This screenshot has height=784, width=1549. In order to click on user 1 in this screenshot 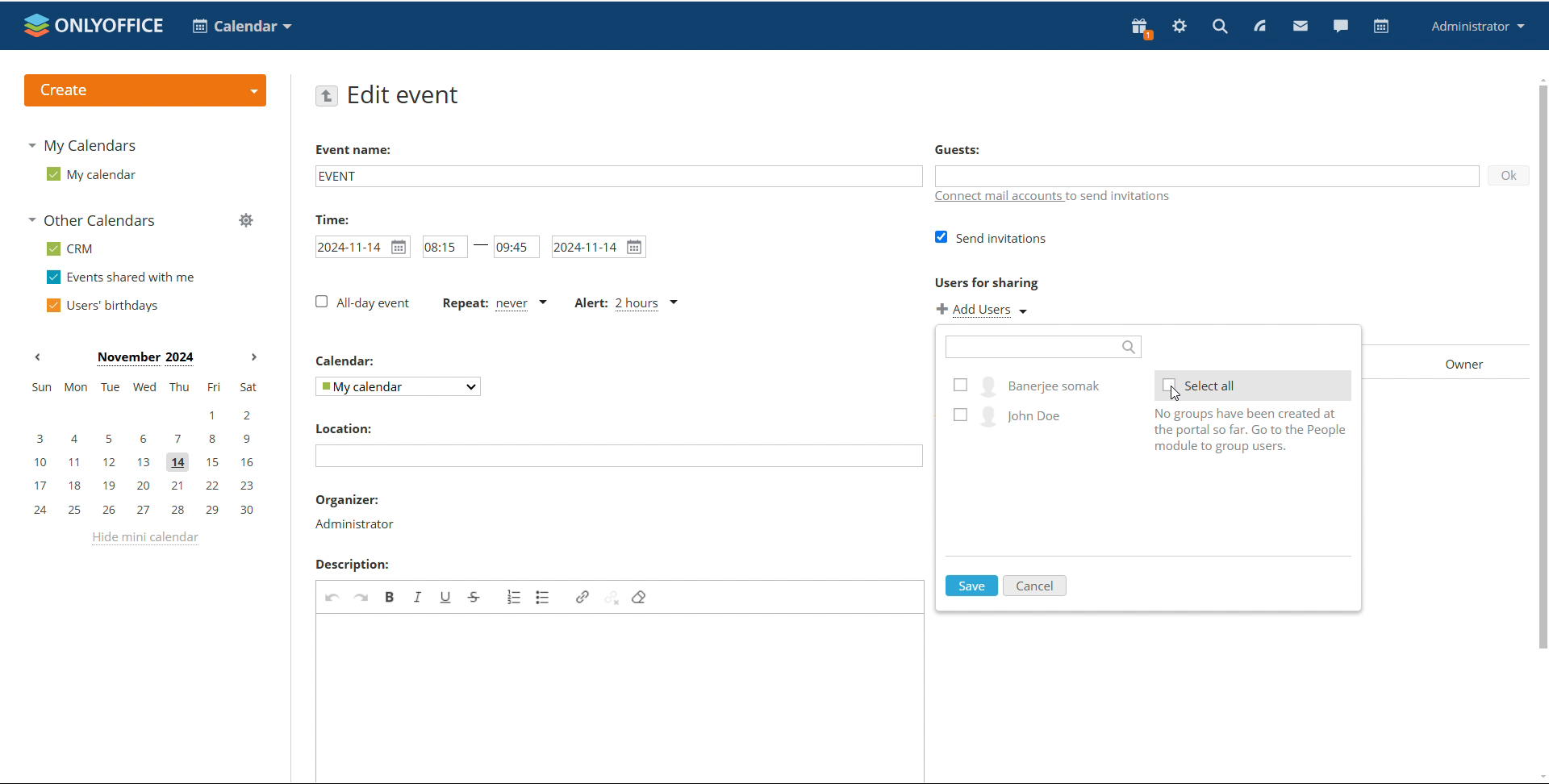, I will do `click(1027, 385)`.